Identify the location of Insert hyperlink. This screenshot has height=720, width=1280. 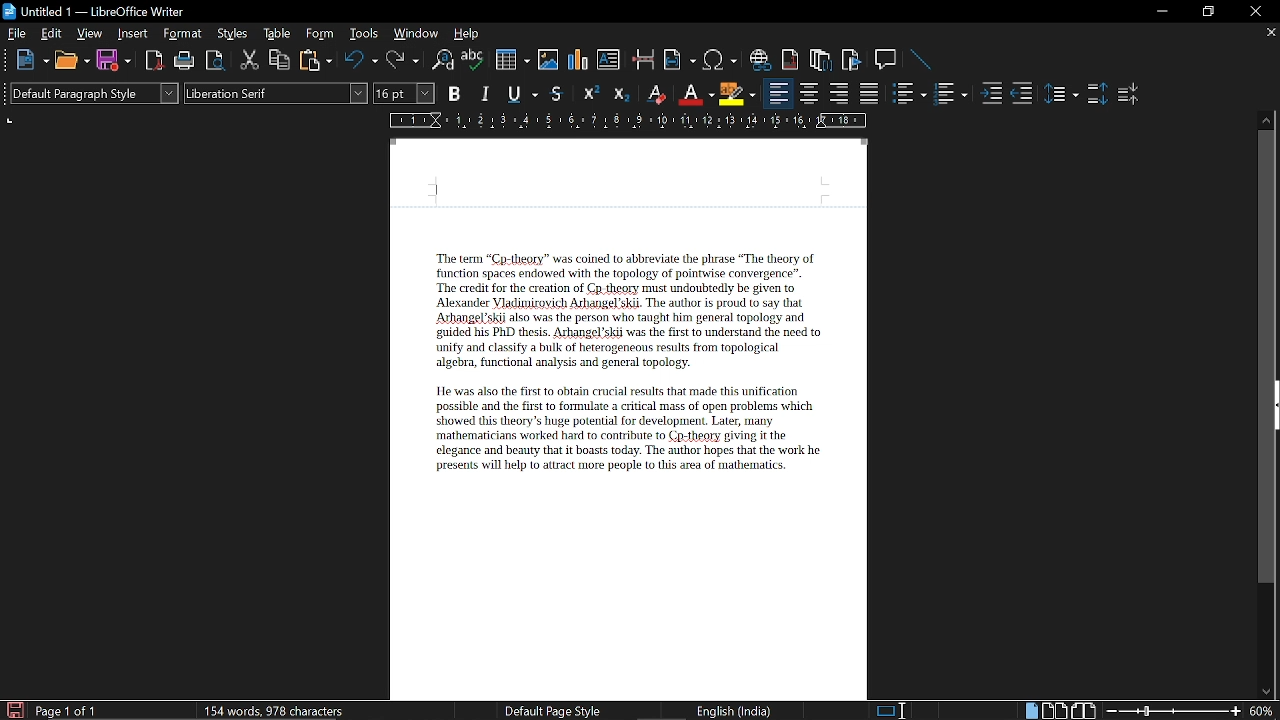
(762, 59).